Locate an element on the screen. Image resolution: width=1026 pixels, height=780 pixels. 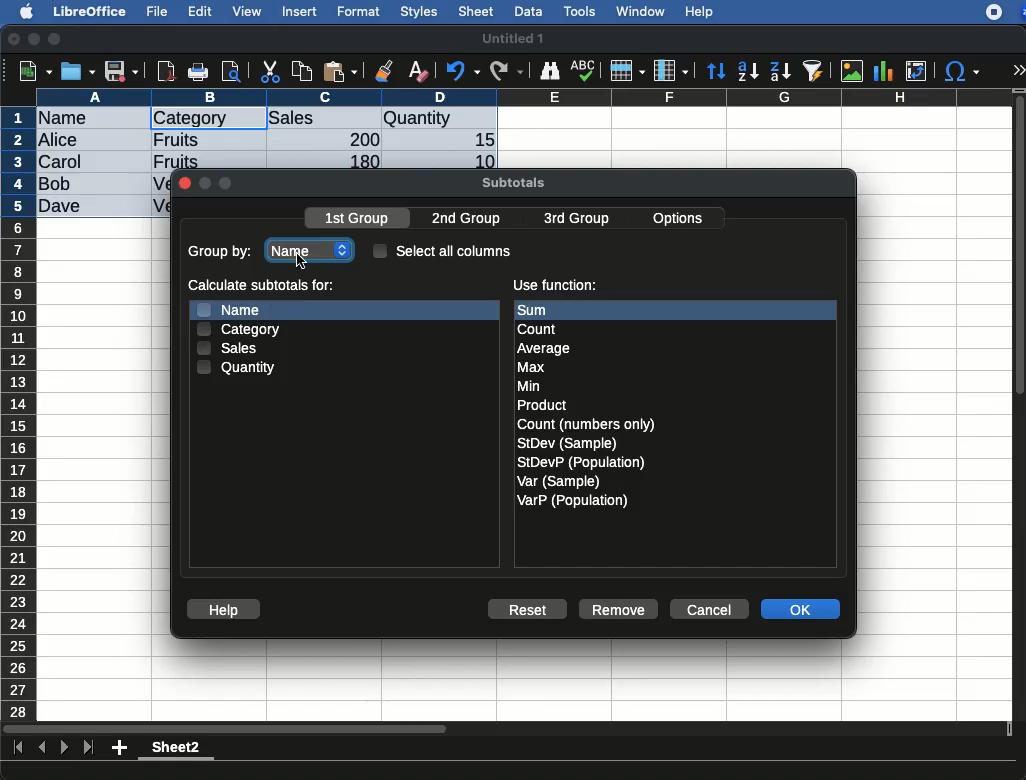
copy is located at coordinates (304, 71).